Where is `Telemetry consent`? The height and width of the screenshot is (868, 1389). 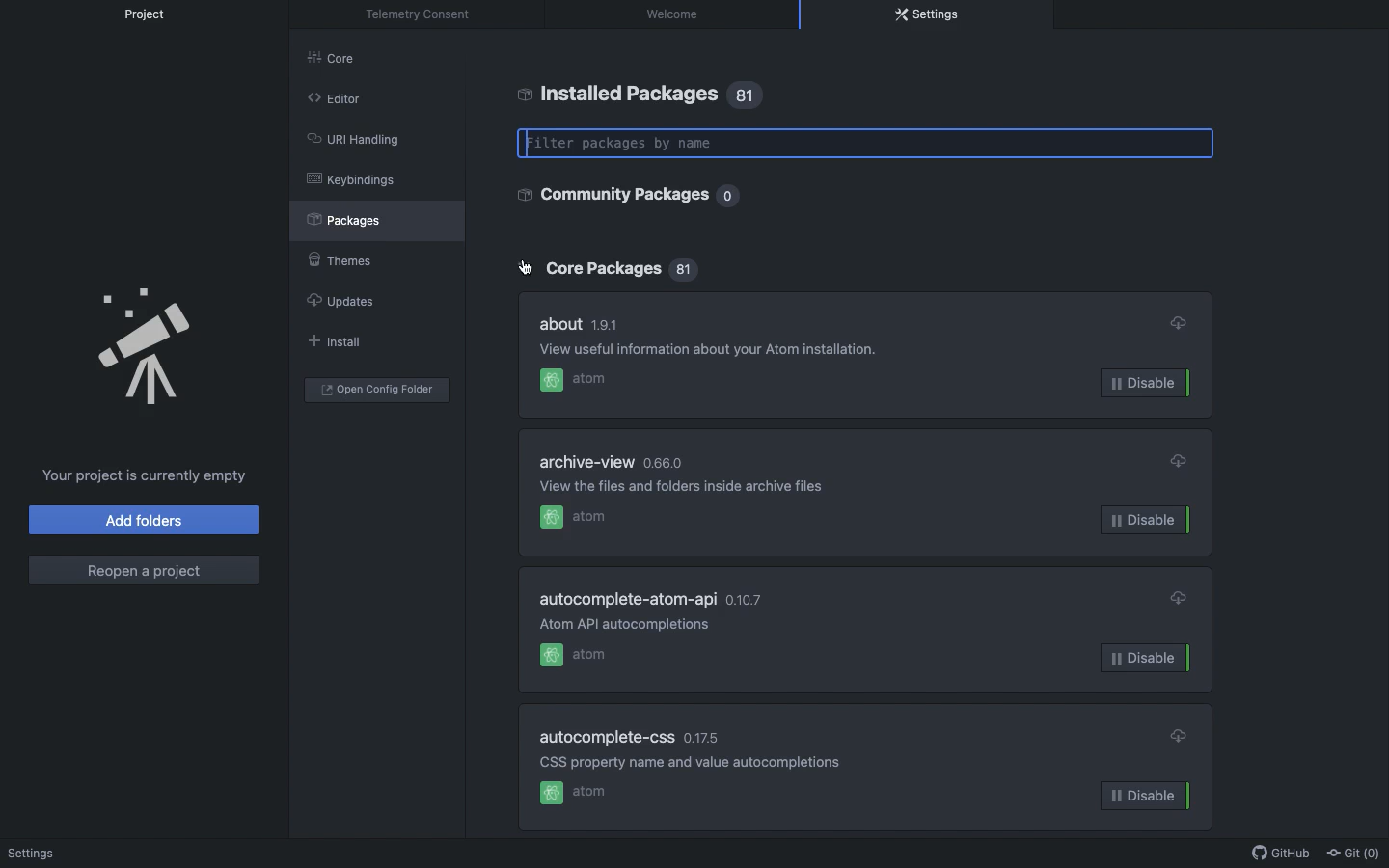 Telemetry consent is located at coordinates (423, 14).